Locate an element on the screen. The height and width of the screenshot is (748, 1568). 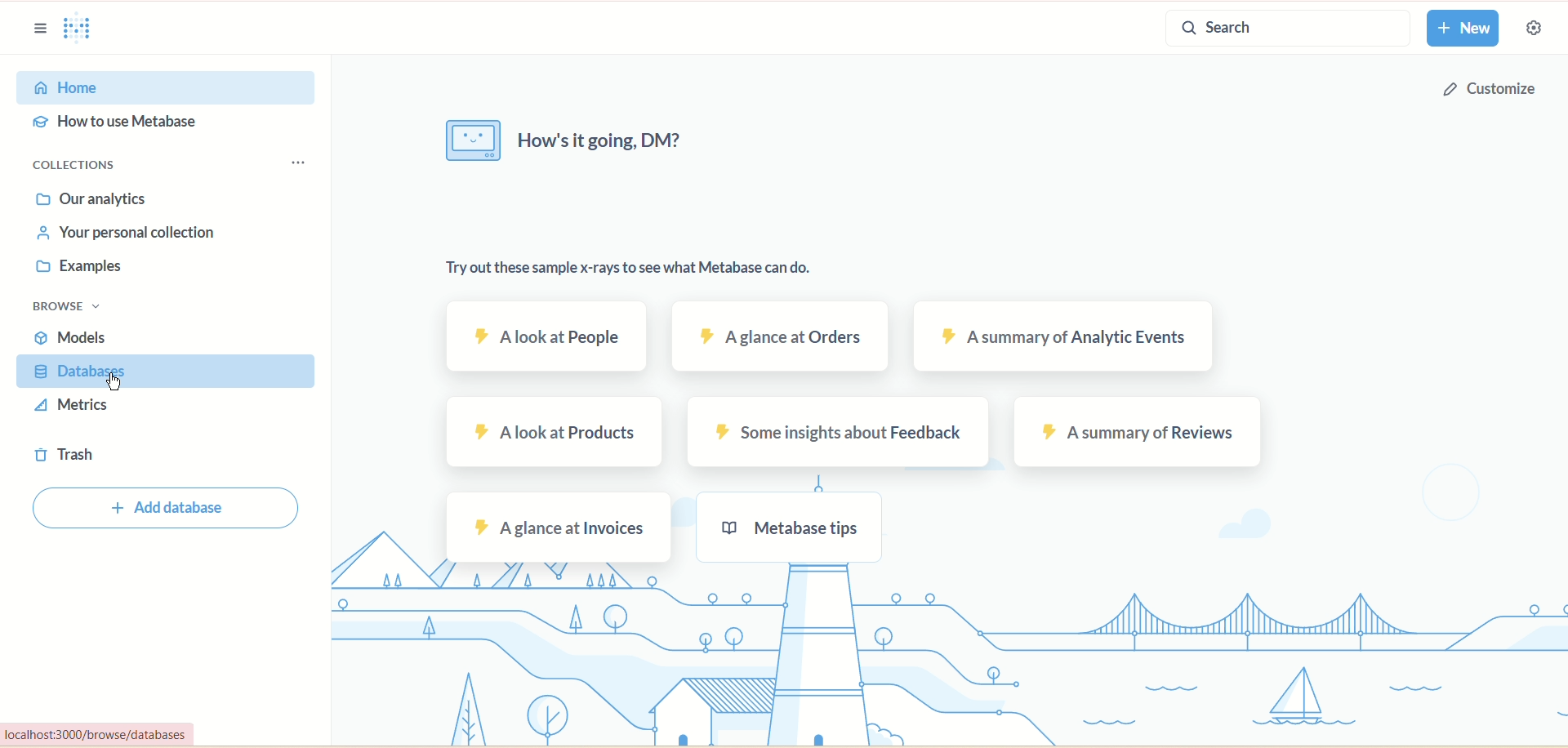
customize is located at coordinates (1483, 95).